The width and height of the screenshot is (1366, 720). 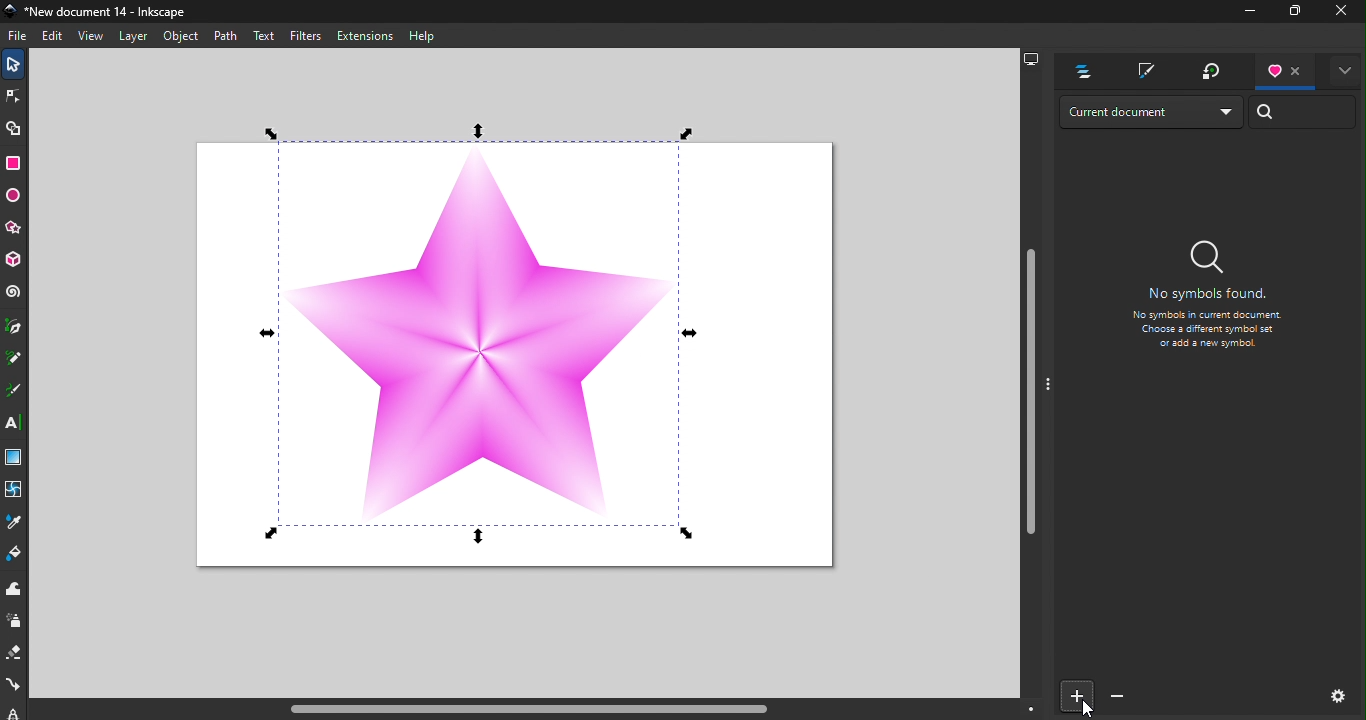 What do you see at coordinates (366, 37) in the screenshot?
I see `Extensions` at bounding box center [366, 37].